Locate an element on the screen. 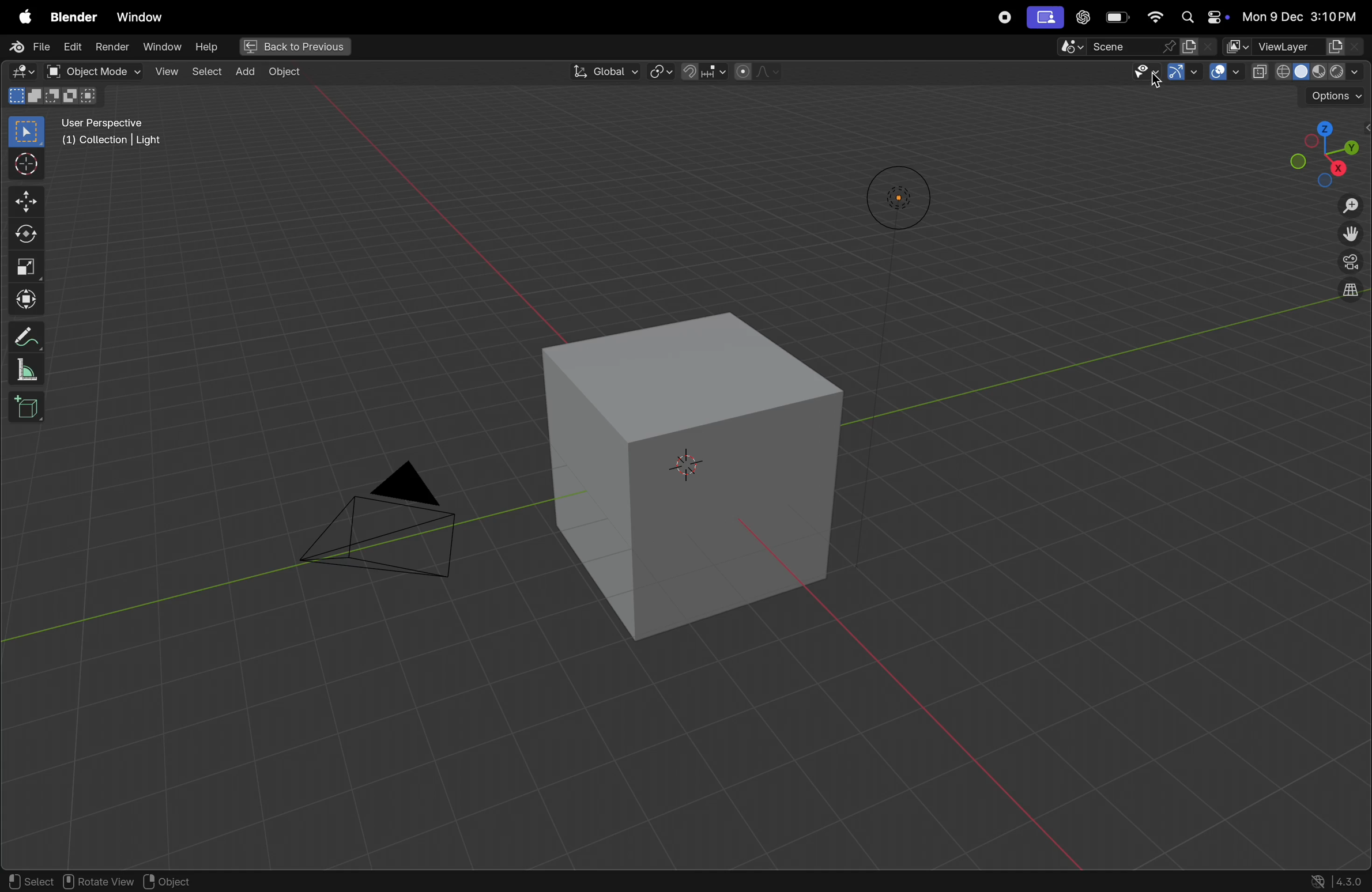  rotate view is located at coordinates (99, 880).